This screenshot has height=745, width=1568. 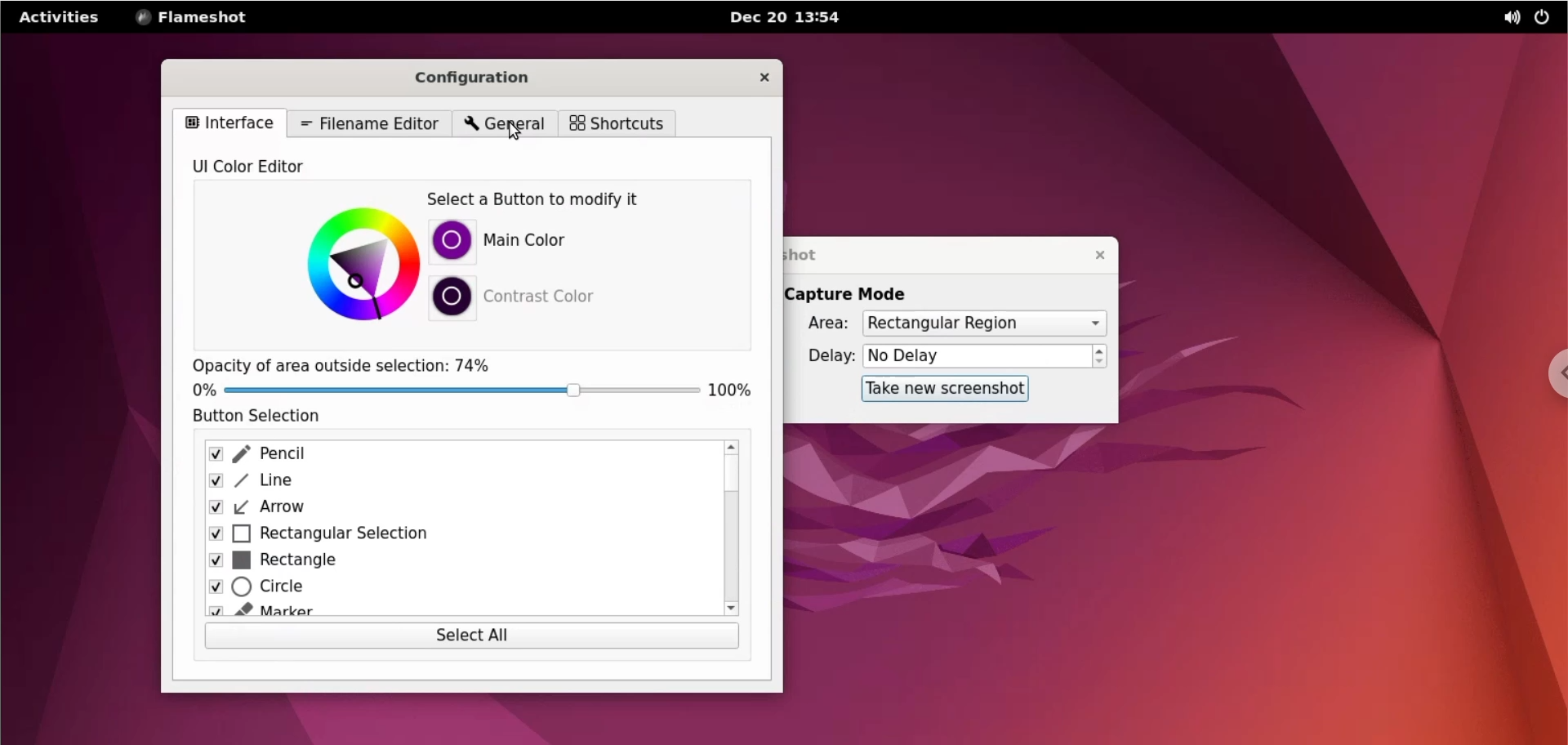 What do you see at coordinates (458, 454) in the screenshot?
I see `pencil checkbox` at bounding box center [458, 454].